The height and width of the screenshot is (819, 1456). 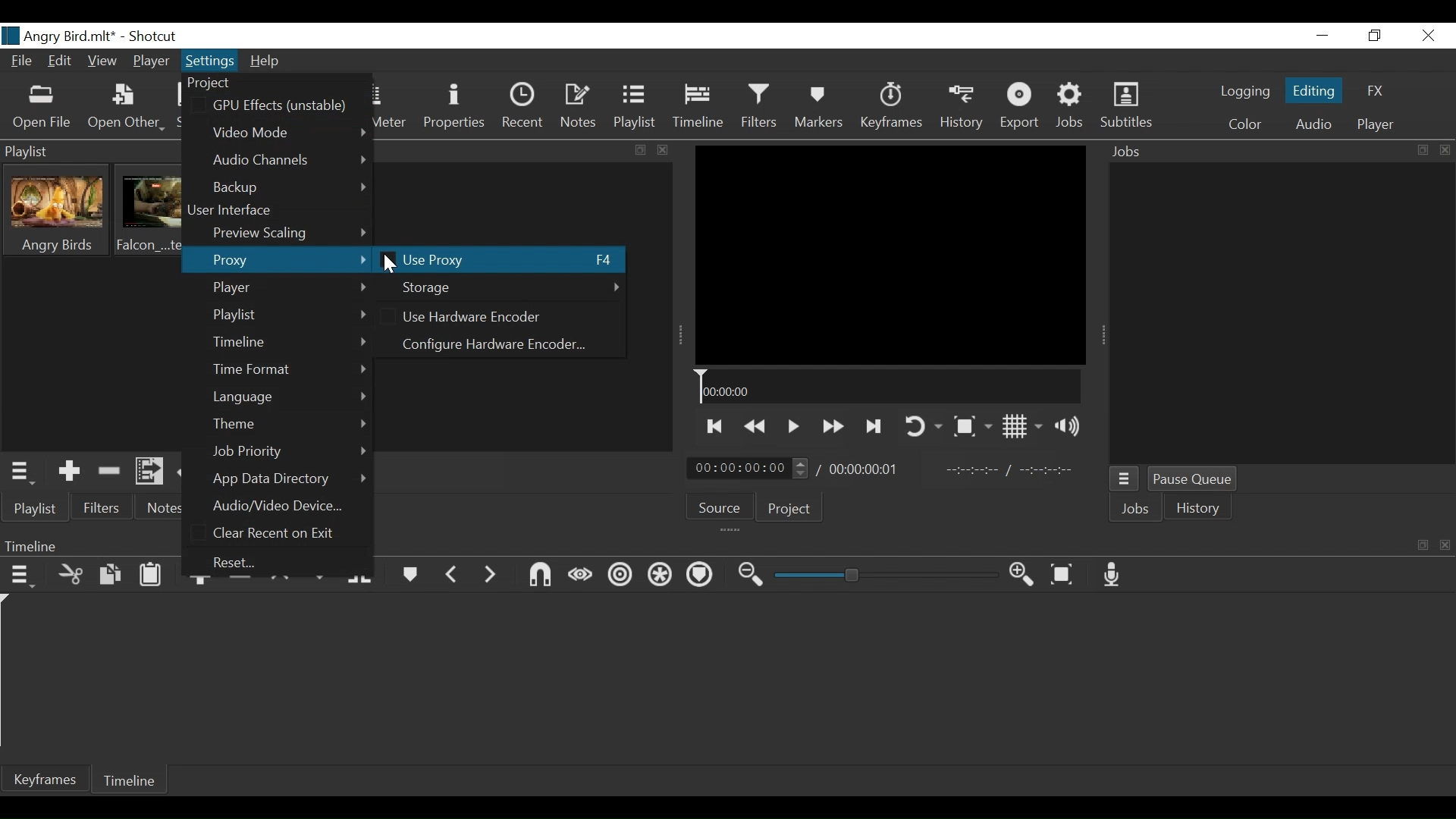 What do you see at coordinates (288, 234) in the screenshot?
I see `Preview Scaling` at bounding box center [288, 234].